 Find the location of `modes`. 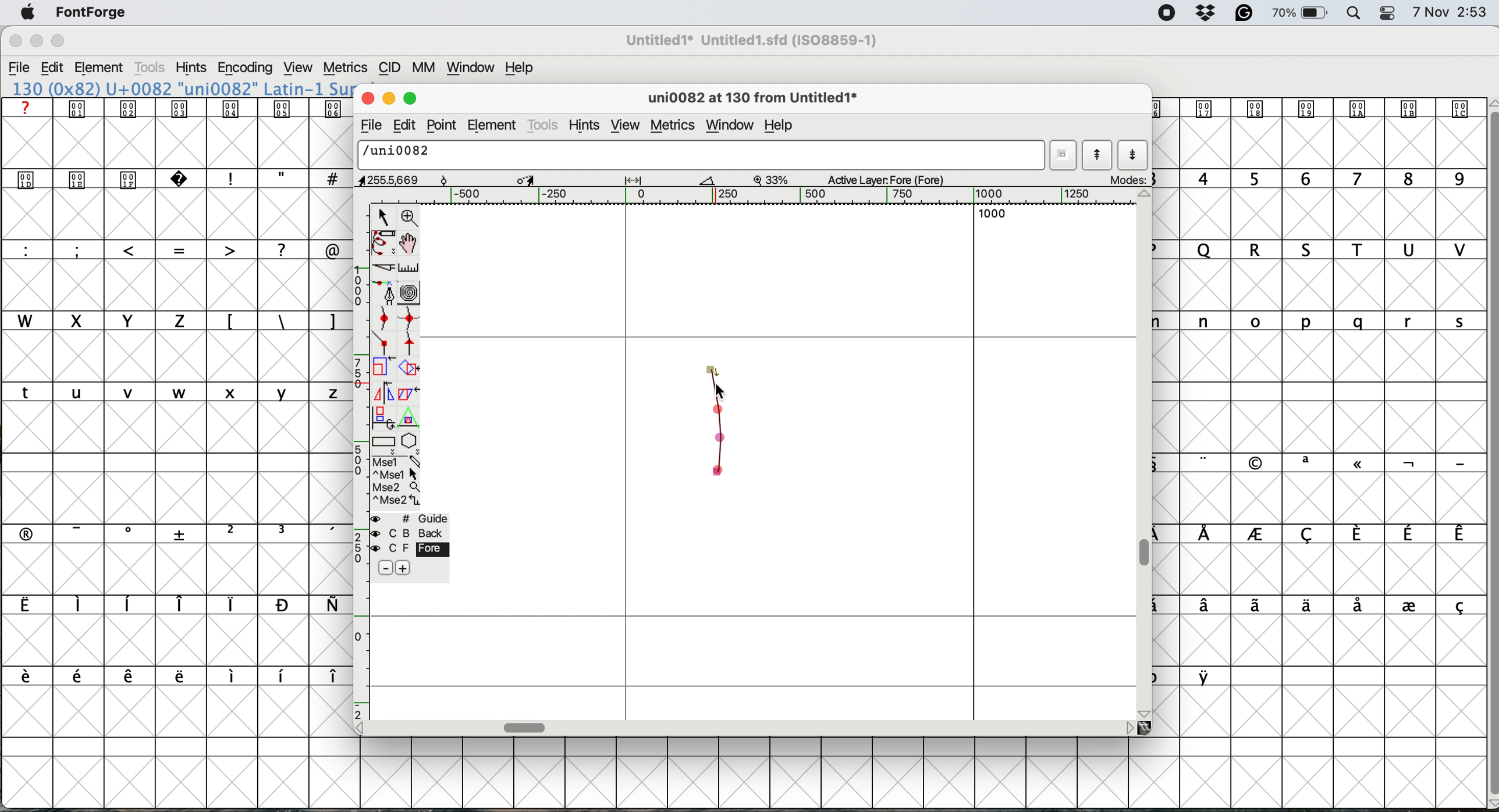

modes is located at coordinates (1129, 179).